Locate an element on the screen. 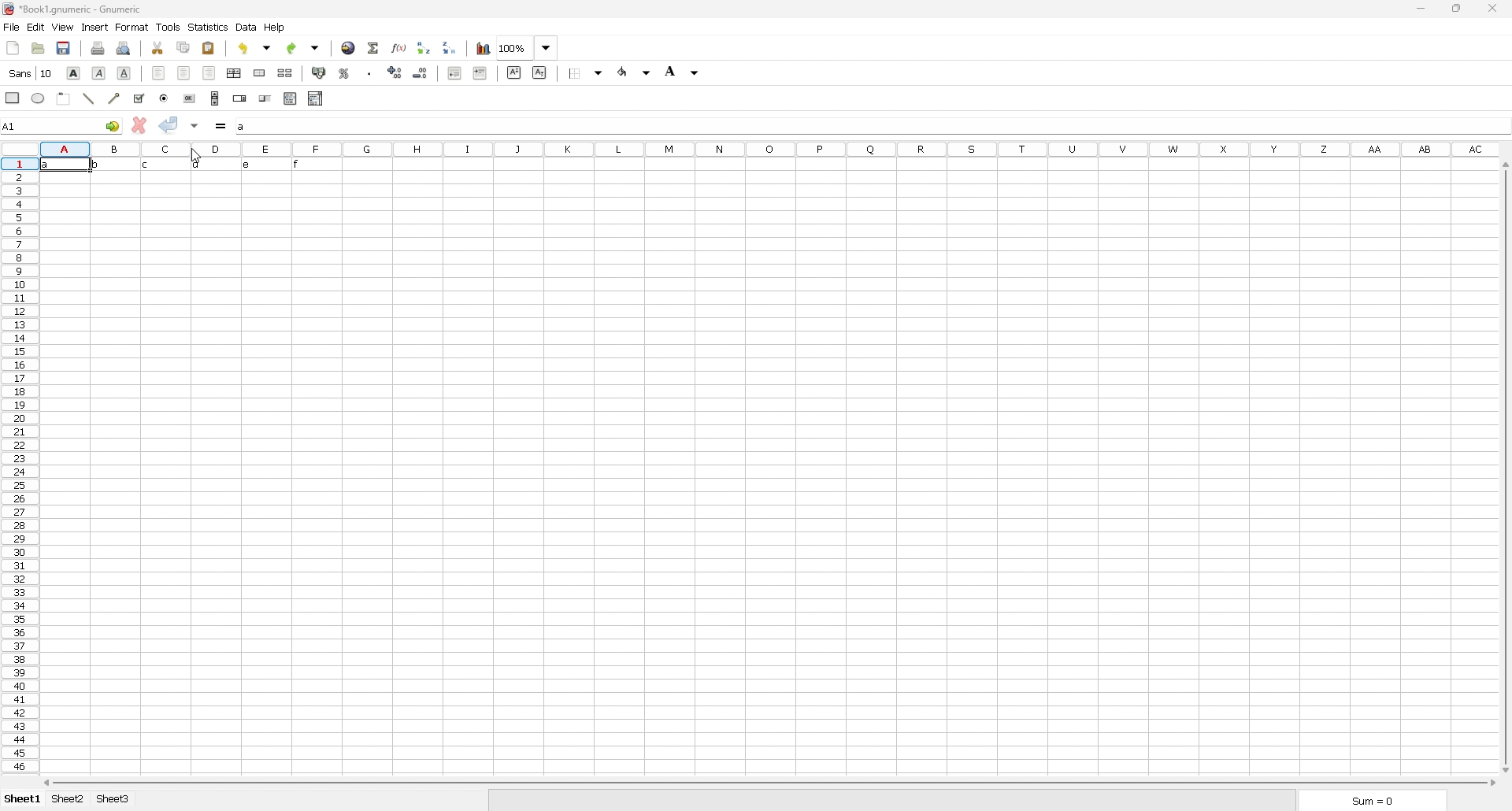 The image size is (1512, 811). border is located at coordinates (587, 72).